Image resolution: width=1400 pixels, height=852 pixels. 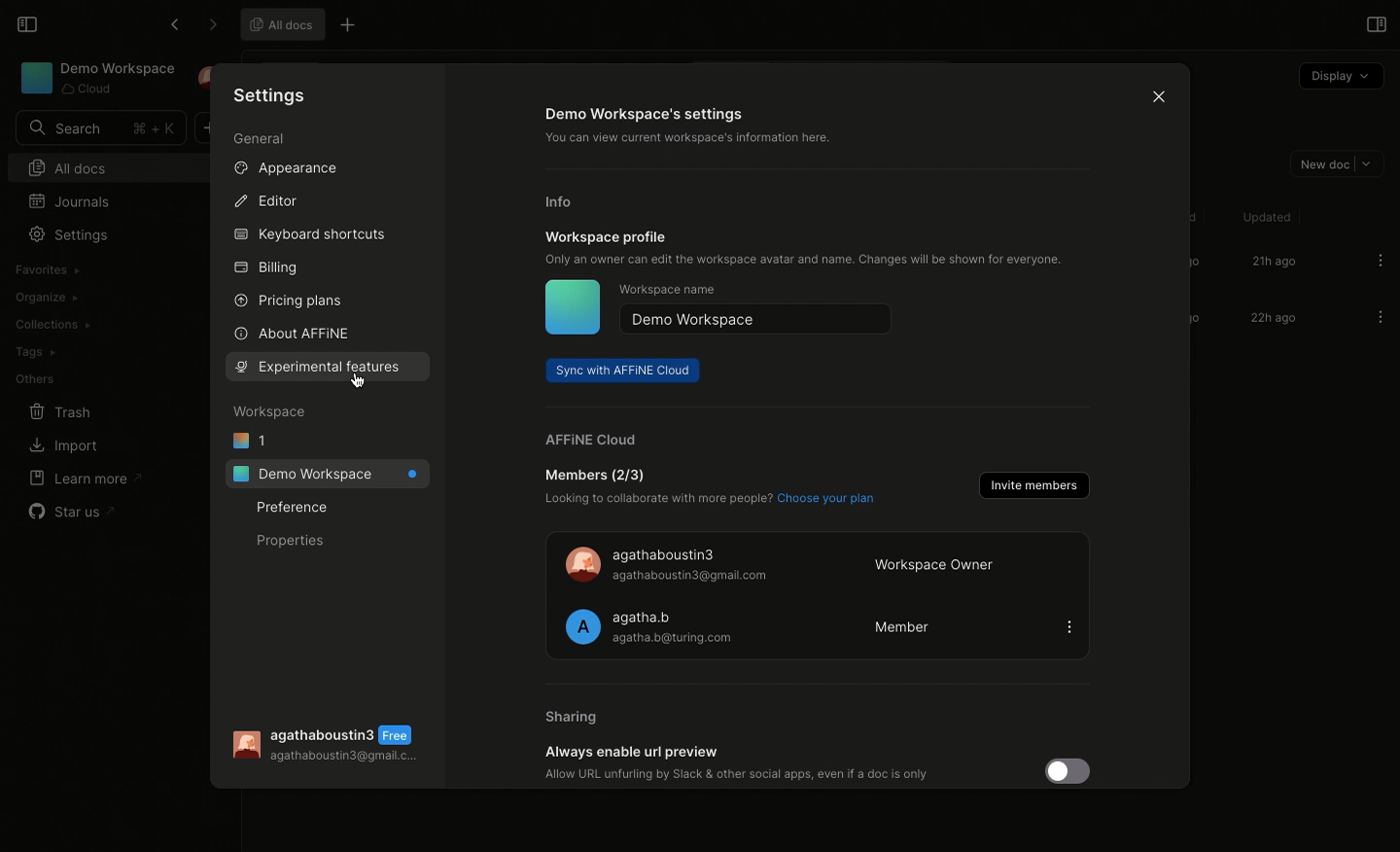 I want to click on Editor, so click(x=264, y=199).